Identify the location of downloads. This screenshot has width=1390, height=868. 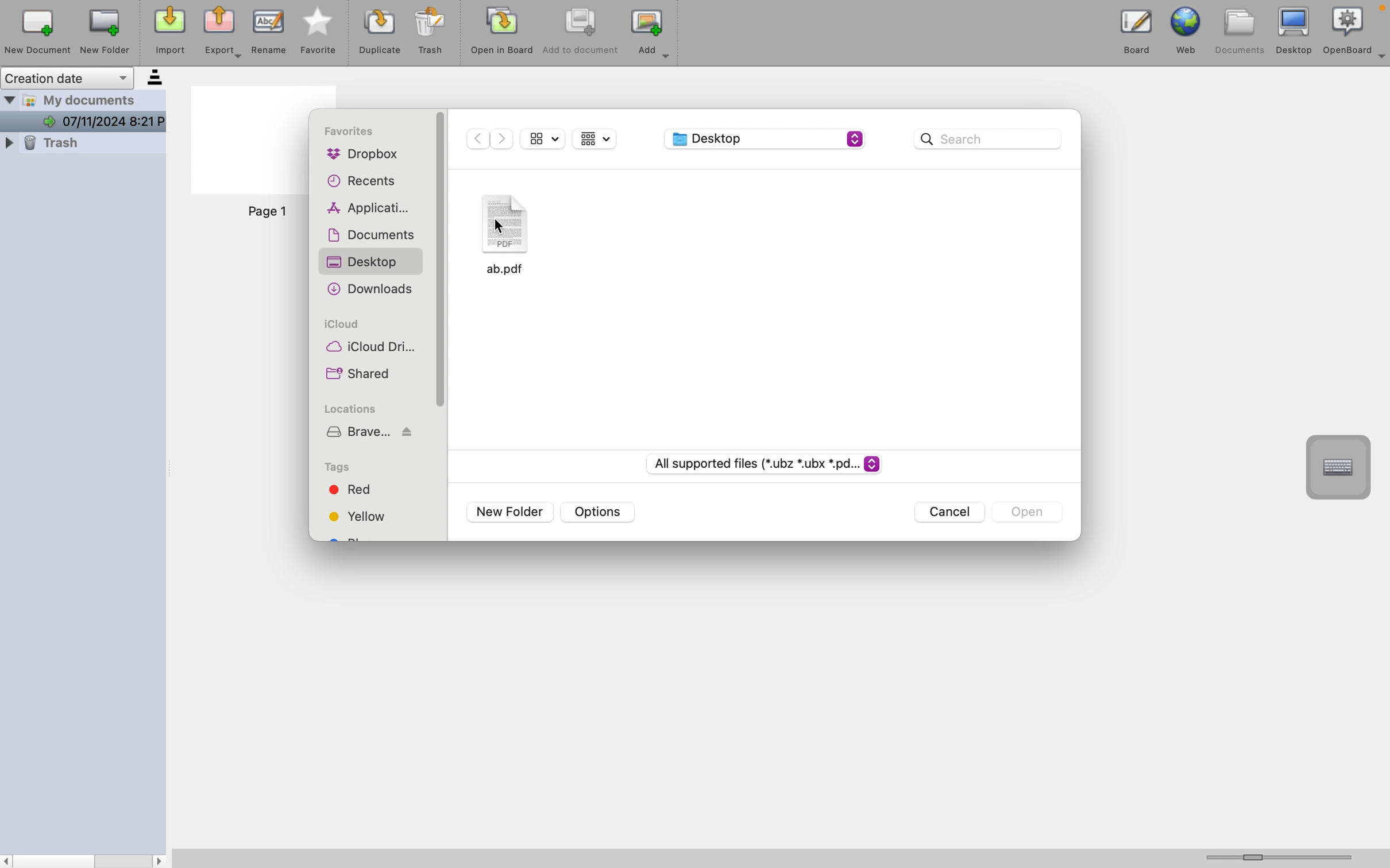
(369, 290).